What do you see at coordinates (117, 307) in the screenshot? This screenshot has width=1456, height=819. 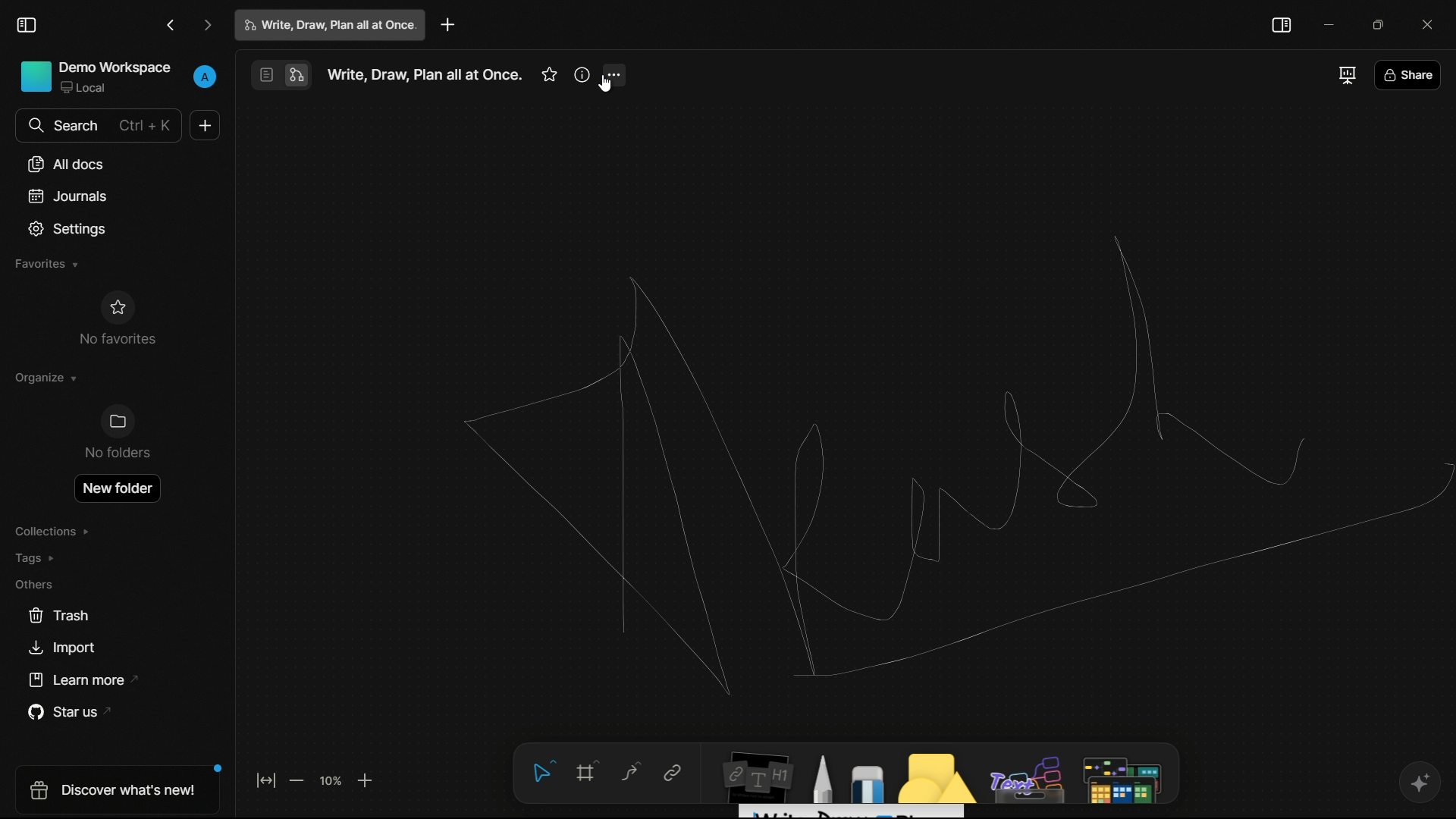 I see `Icon` at bounding box center [117, 307].